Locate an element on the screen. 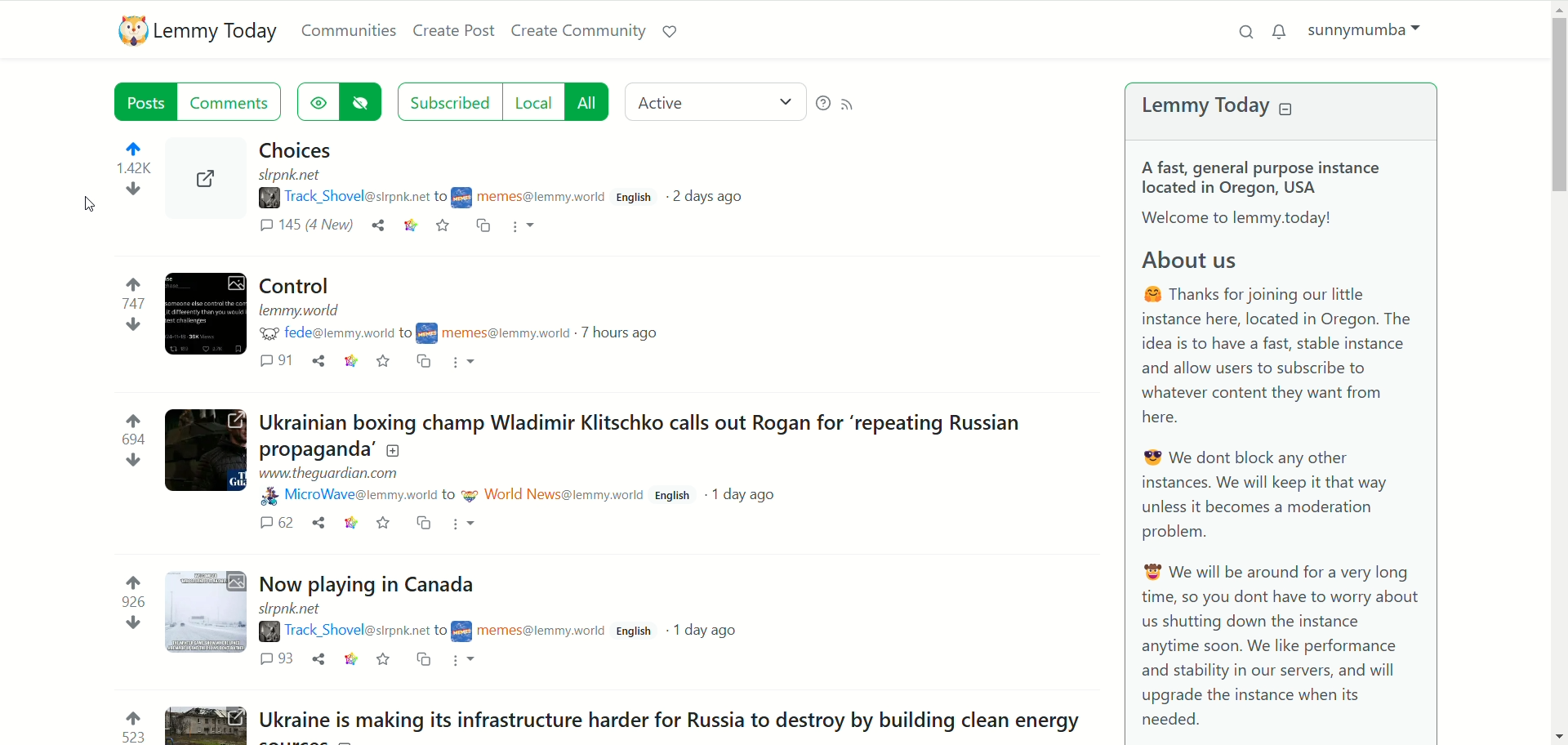  Post - Ukraine is making its infrastructure harder for Russia to destroy by building clean energy is located at coordinates (679, 720).